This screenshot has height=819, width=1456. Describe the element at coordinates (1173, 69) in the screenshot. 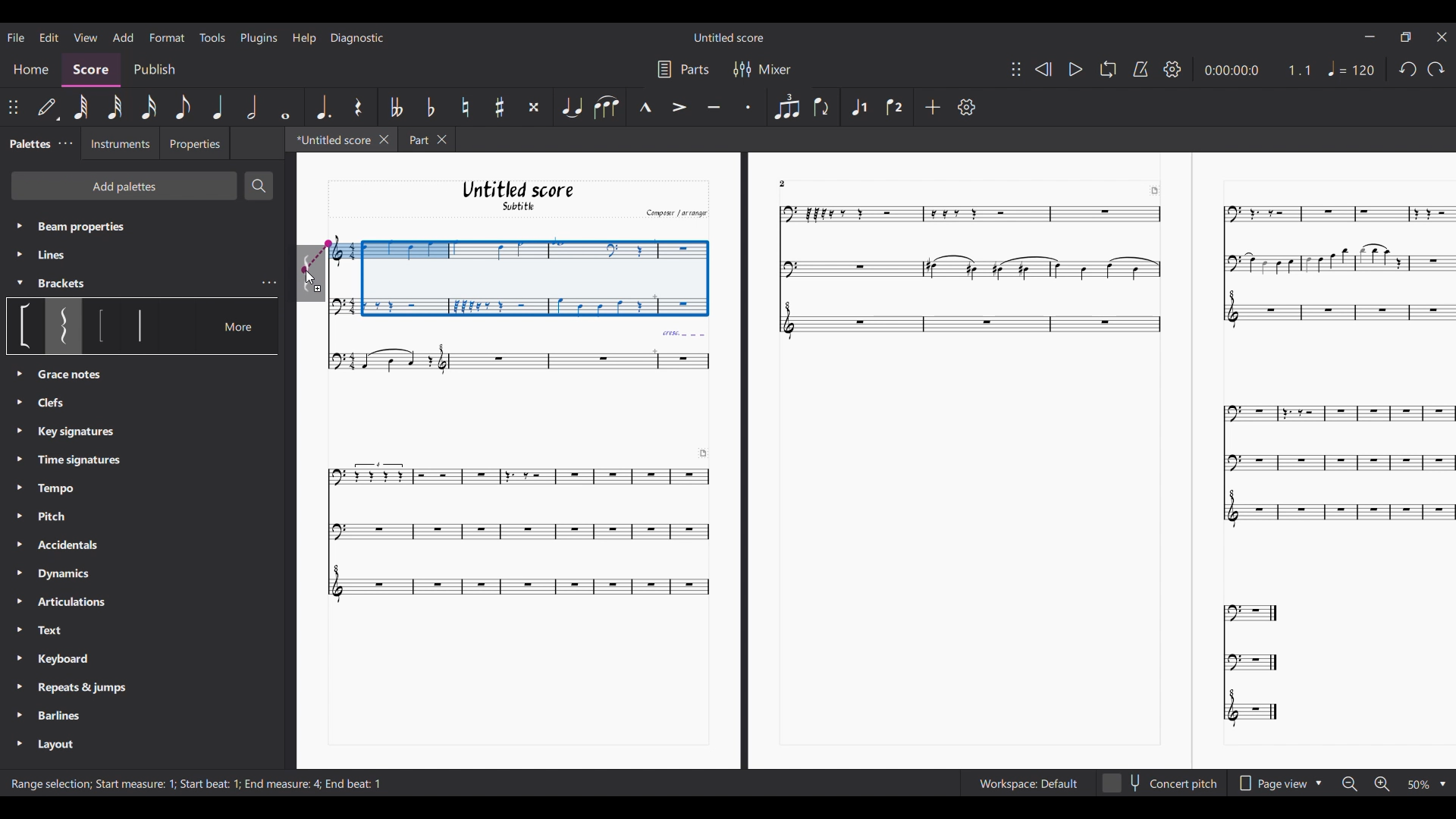

I see `Settings` at that location.